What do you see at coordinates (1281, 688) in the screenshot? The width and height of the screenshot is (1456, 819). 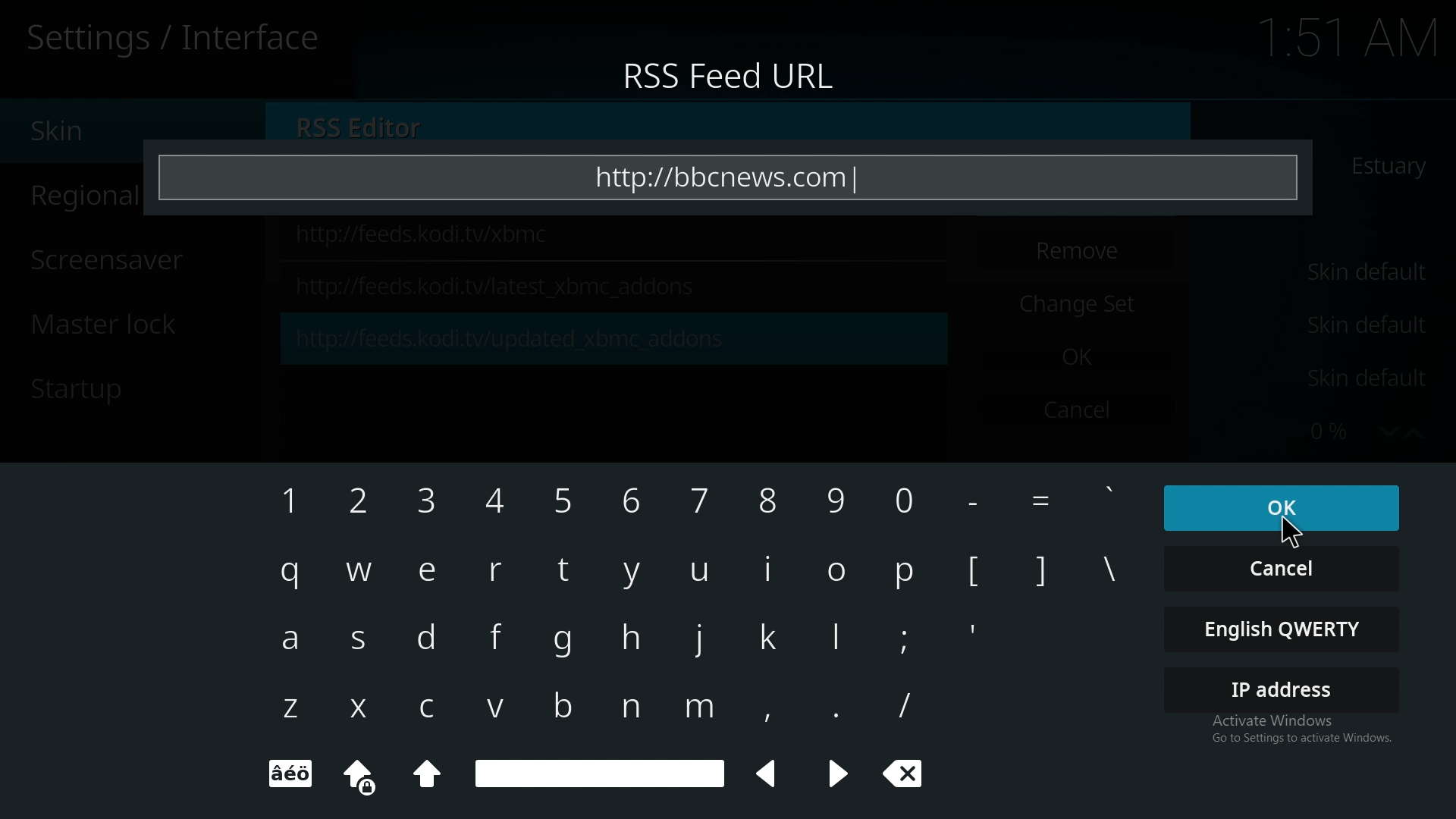 I see `ip address` at bounding box center [1281, 688].